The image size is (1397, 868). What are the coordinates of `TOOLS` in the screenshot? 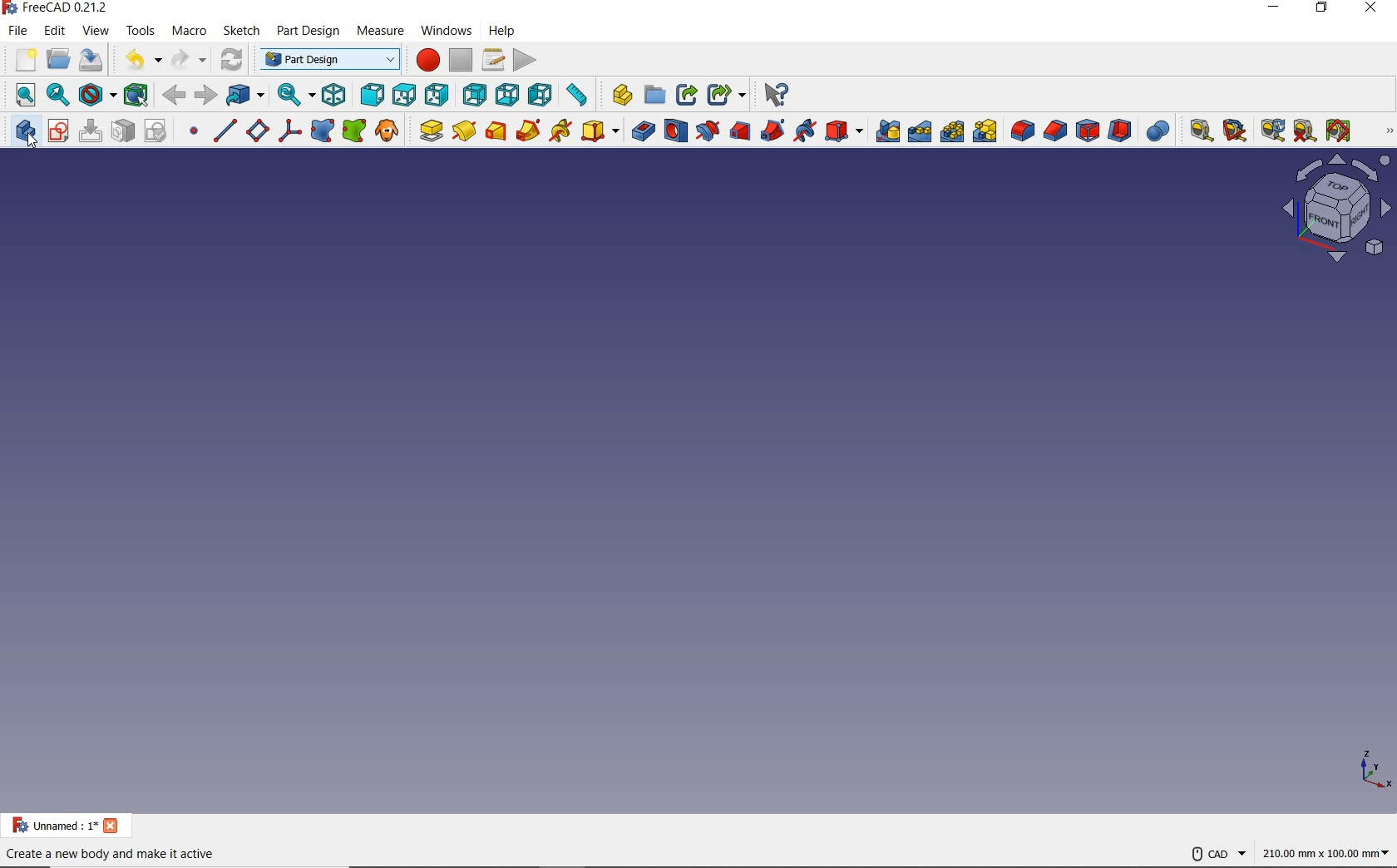 It's located at (141, 29).